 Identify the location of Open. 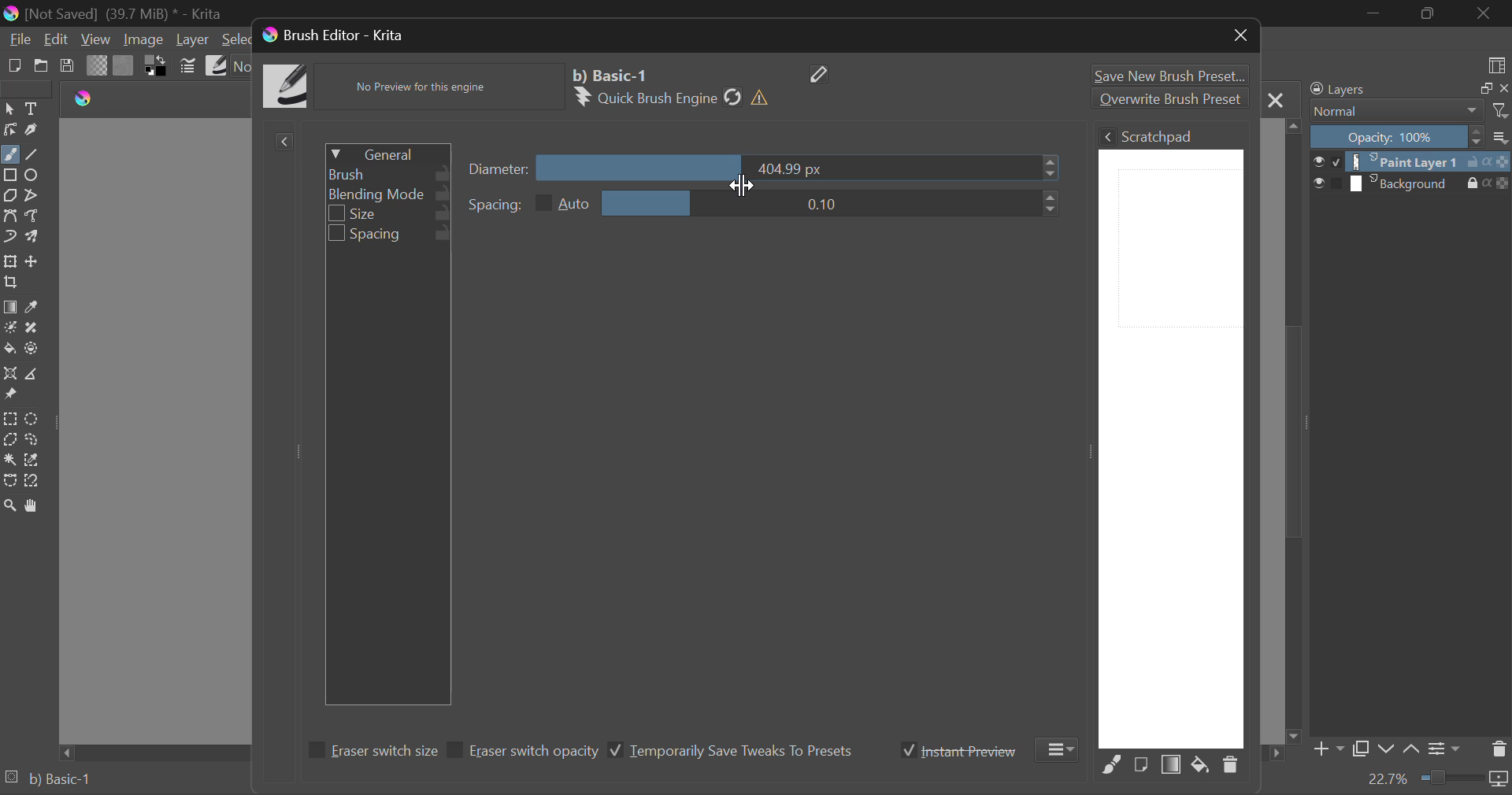
(39, 65).